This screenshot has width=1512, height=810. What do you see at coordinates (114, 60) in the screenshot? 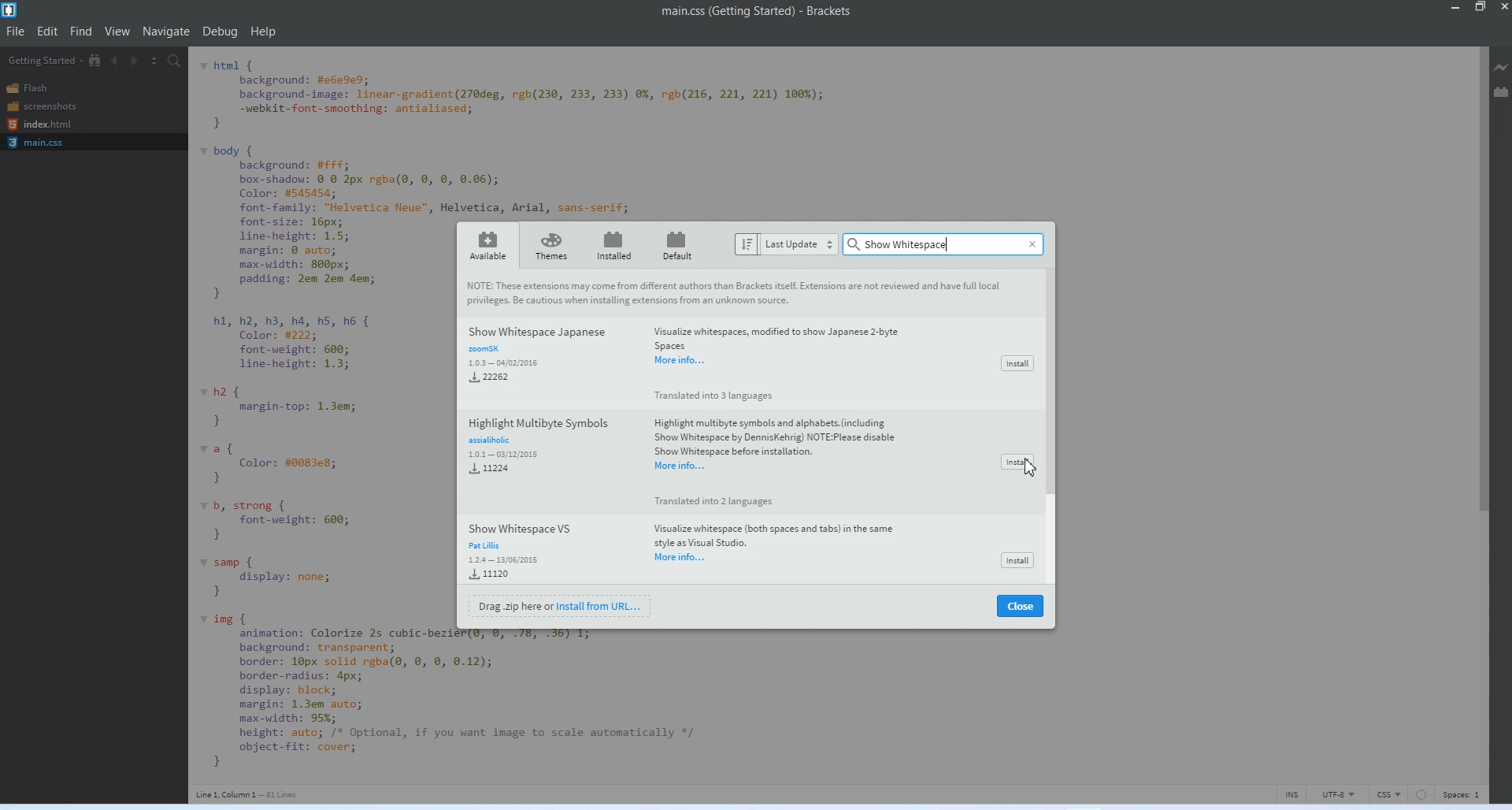
I see `Navigate Backwards ` at bounding box center [114, 60].